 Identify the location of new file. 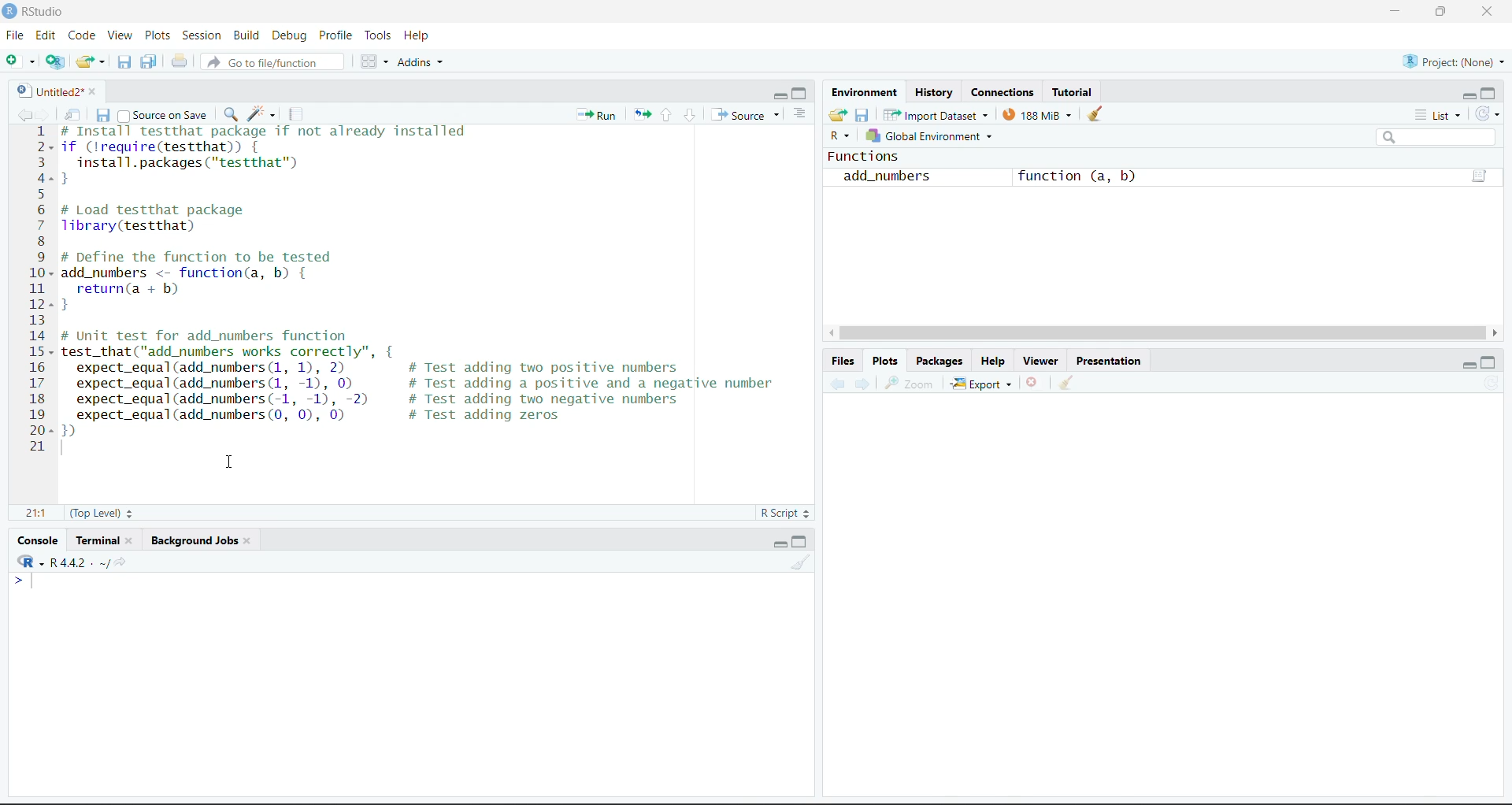
(20, 61).